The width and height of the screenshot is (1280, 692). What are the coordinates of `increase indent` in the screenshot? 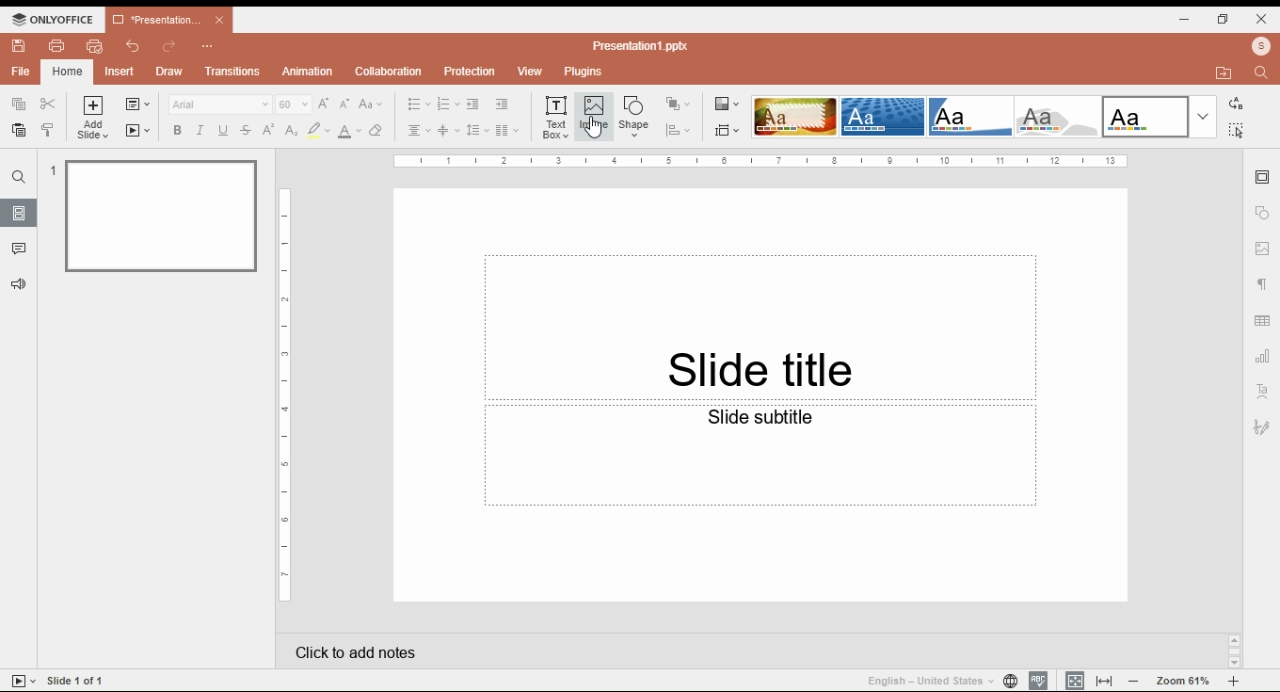 It's located at (472, 105).